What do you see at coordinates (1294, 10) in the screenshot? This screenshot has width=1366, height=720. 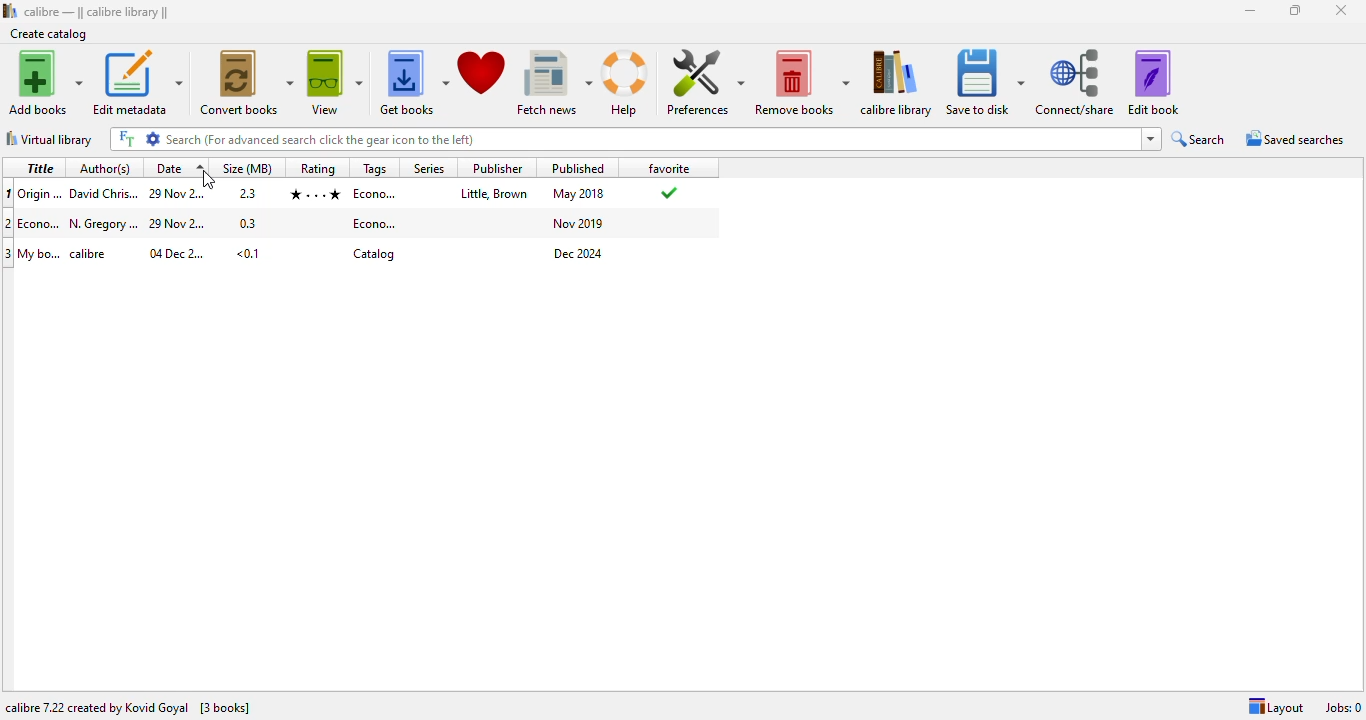 I see `maximize` at bounding box center [1294, 10].